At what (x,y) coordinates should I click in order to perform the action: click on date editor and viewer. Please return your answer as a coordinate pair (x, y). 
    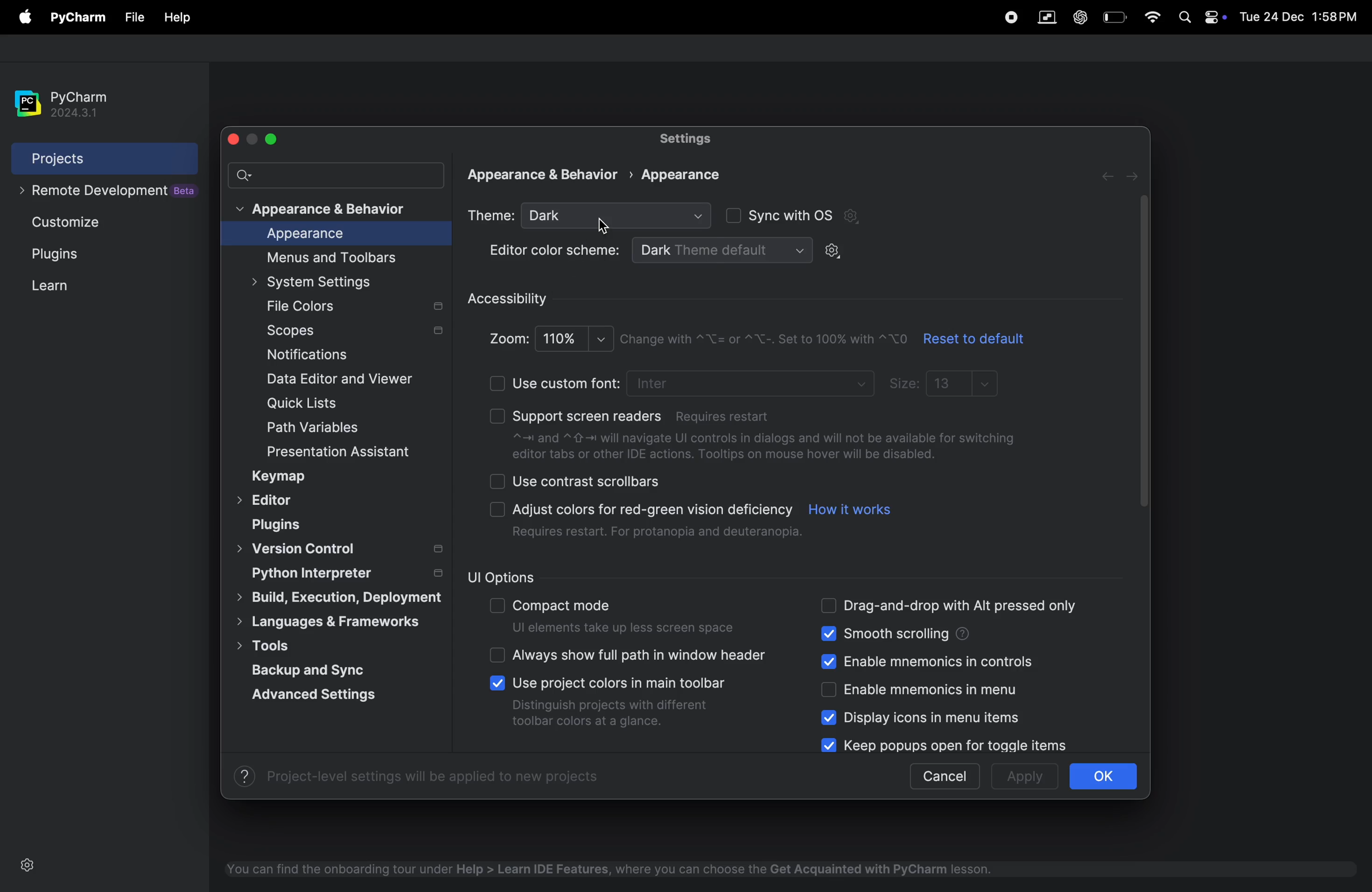
    Looking at the image, I should click on (339, 382).